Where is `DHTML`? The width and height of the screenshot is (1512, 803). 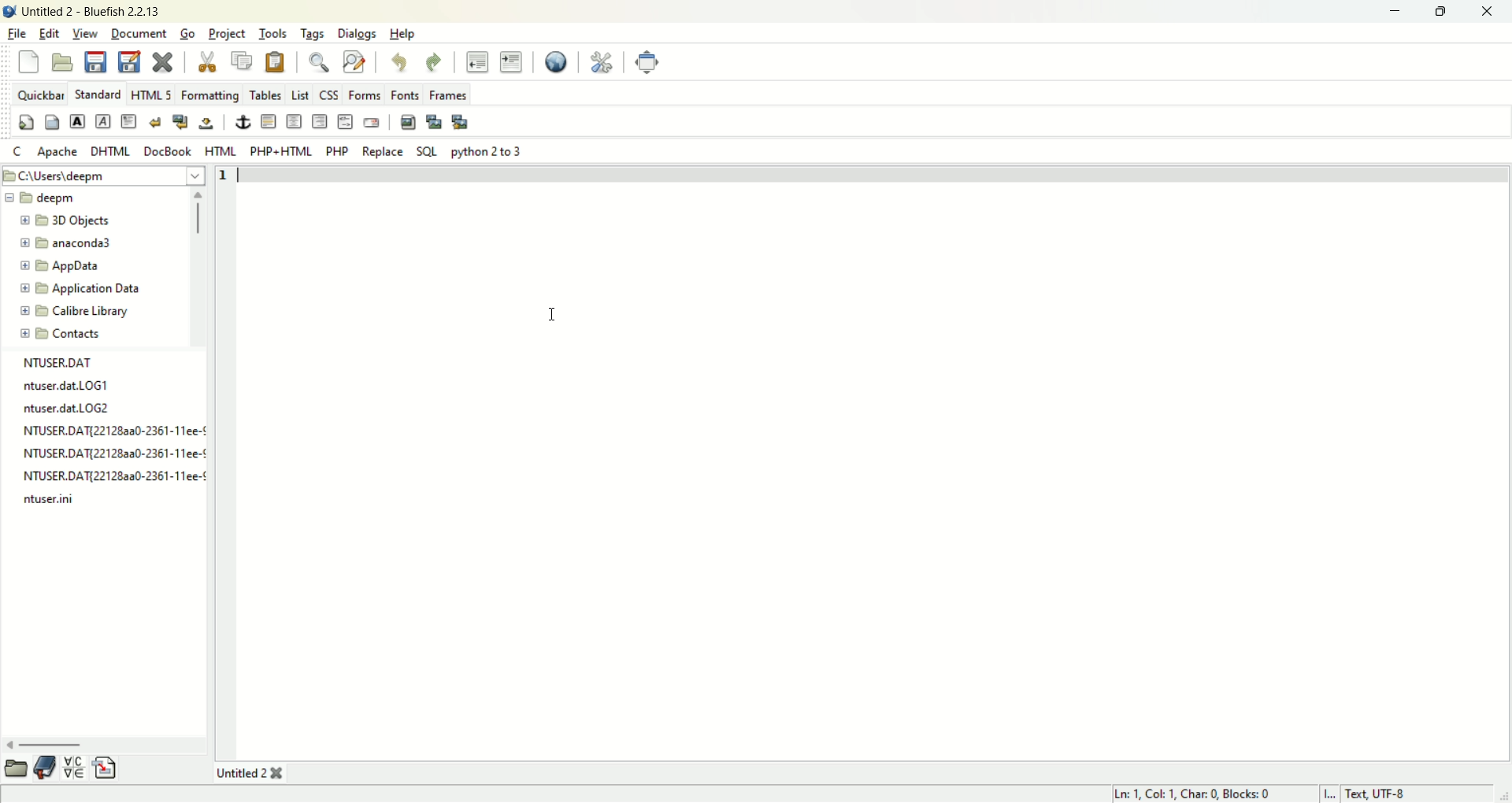 DHTML is located at coordinates (111, 151).